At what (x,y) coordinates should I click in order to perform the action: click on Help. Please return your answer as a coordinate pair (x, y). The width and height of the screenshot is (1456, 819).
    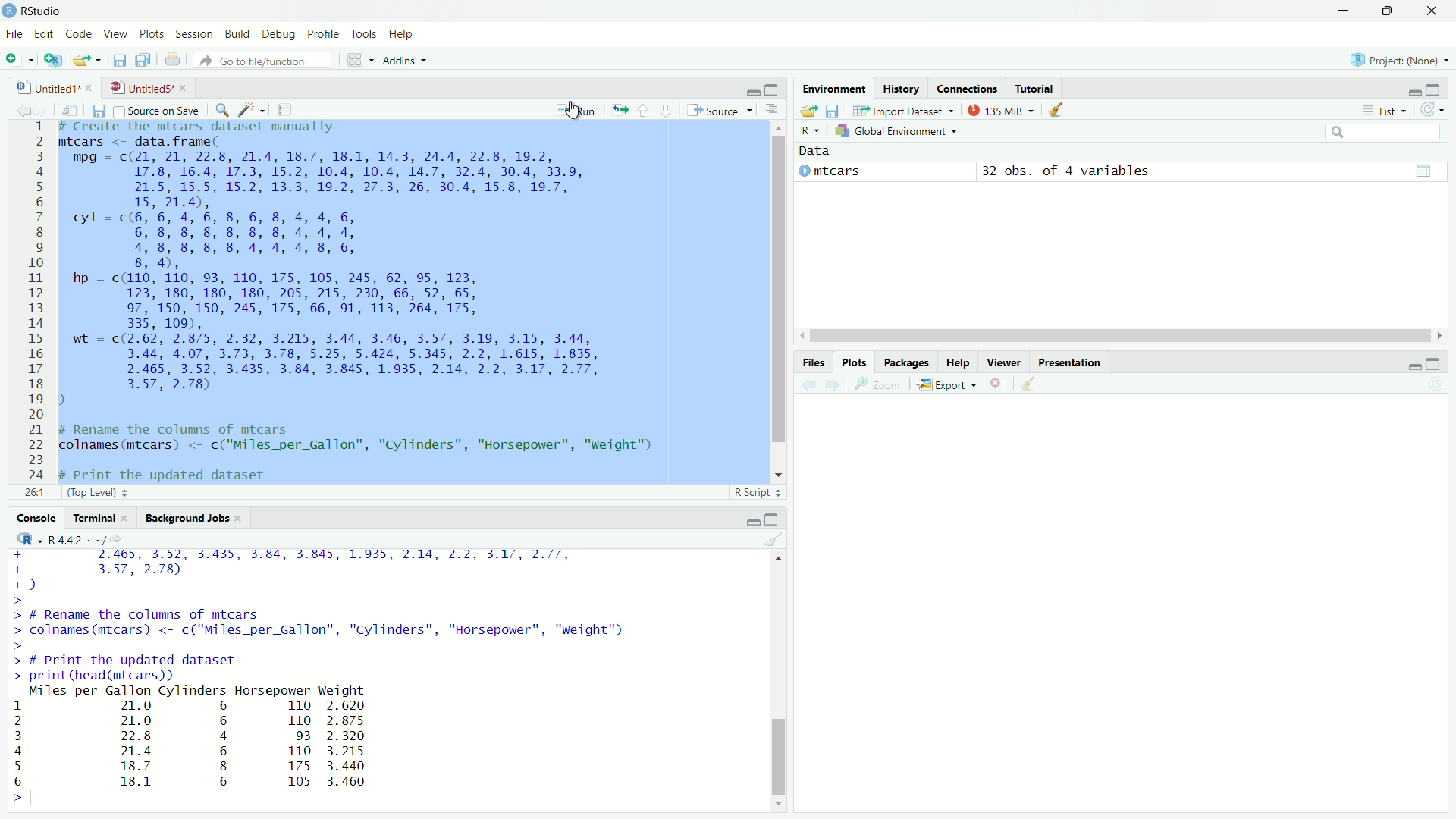
    Looking at the image, I should click on (960, 364).